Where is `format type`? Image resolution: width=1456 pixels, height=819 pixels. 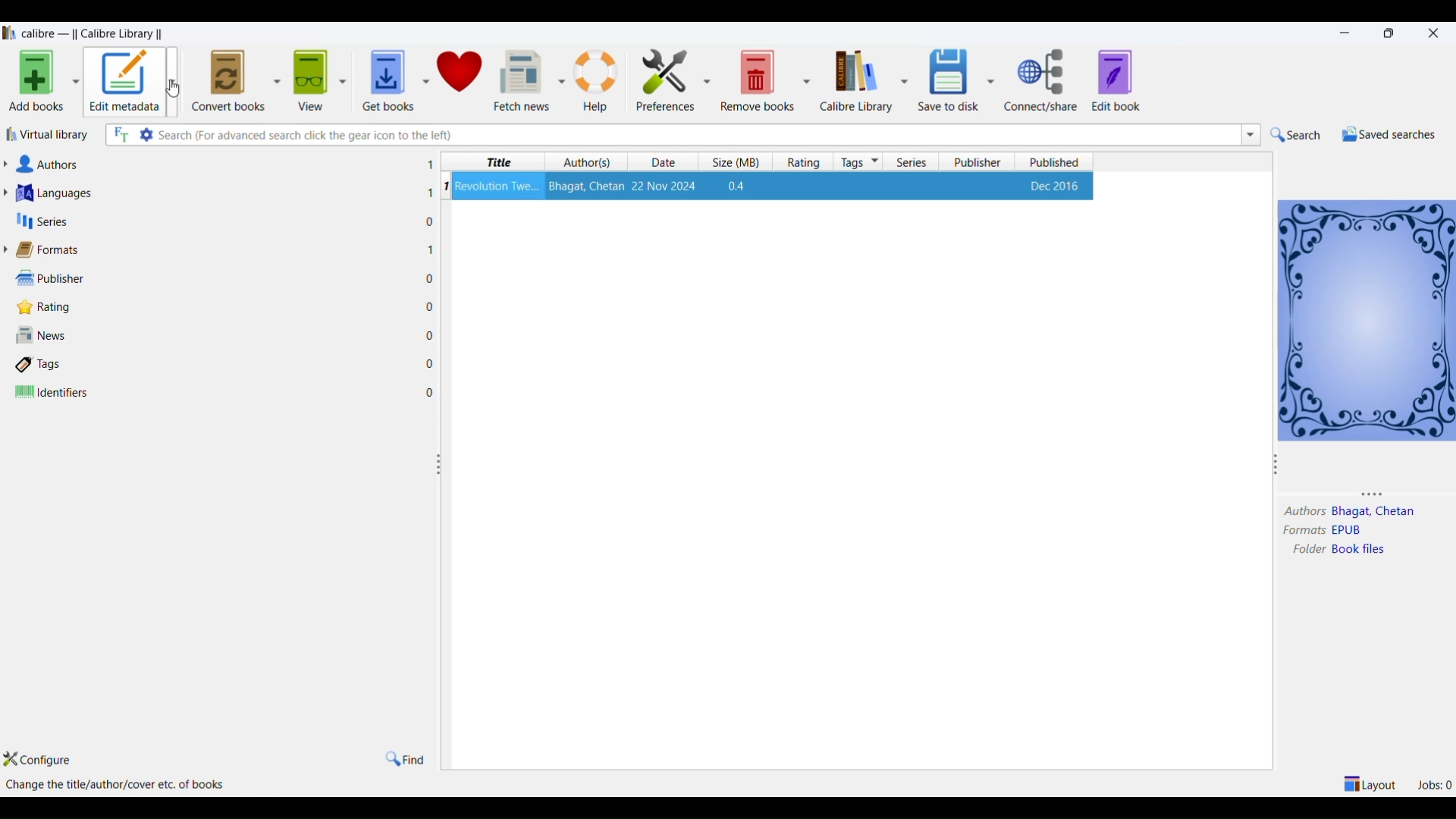
format type is located at coordinates (1354, 531).